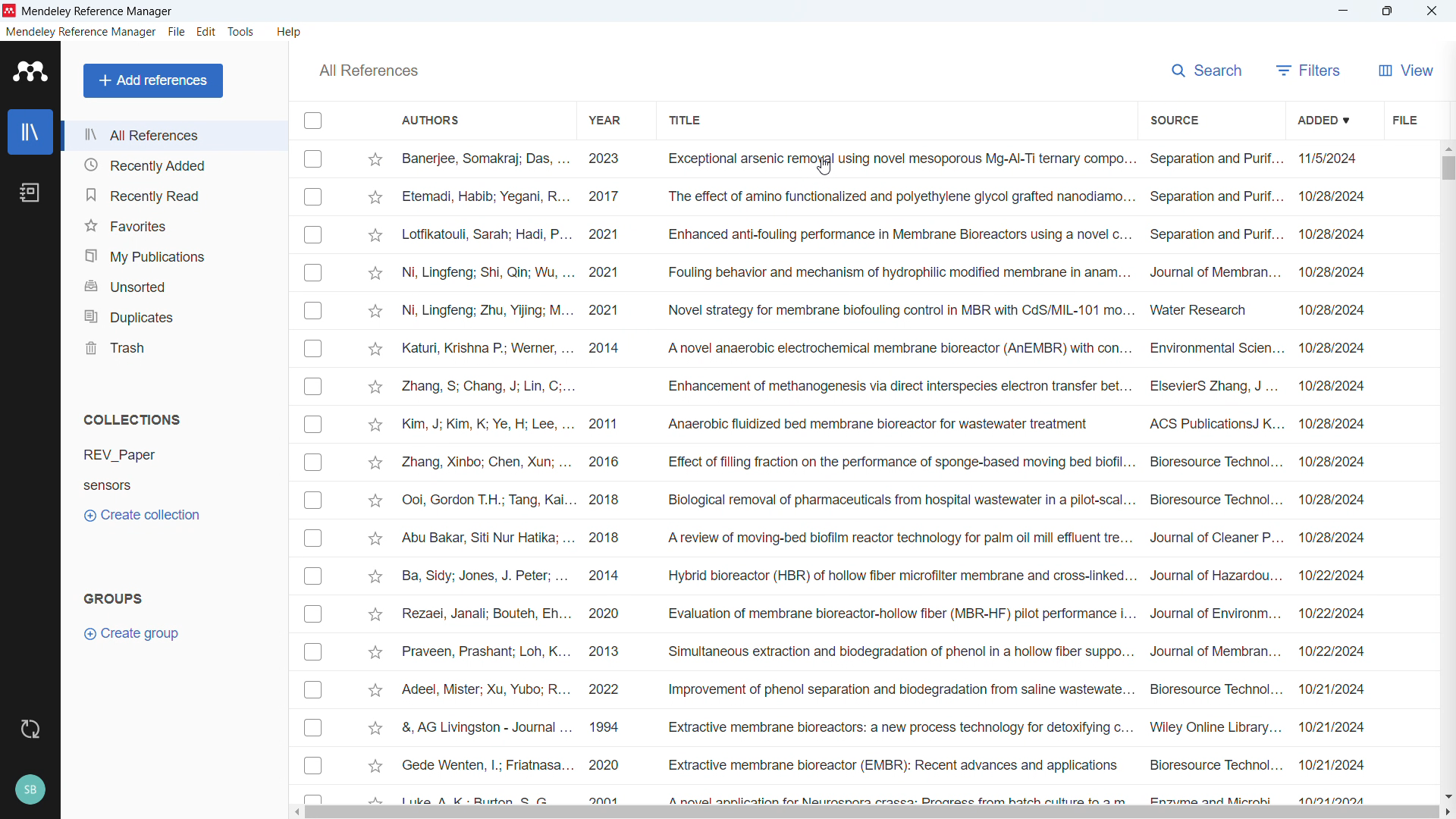 Image resolution: width=1456 pixels, height=819 pixels. I want to click on collections, so click(134, 419).